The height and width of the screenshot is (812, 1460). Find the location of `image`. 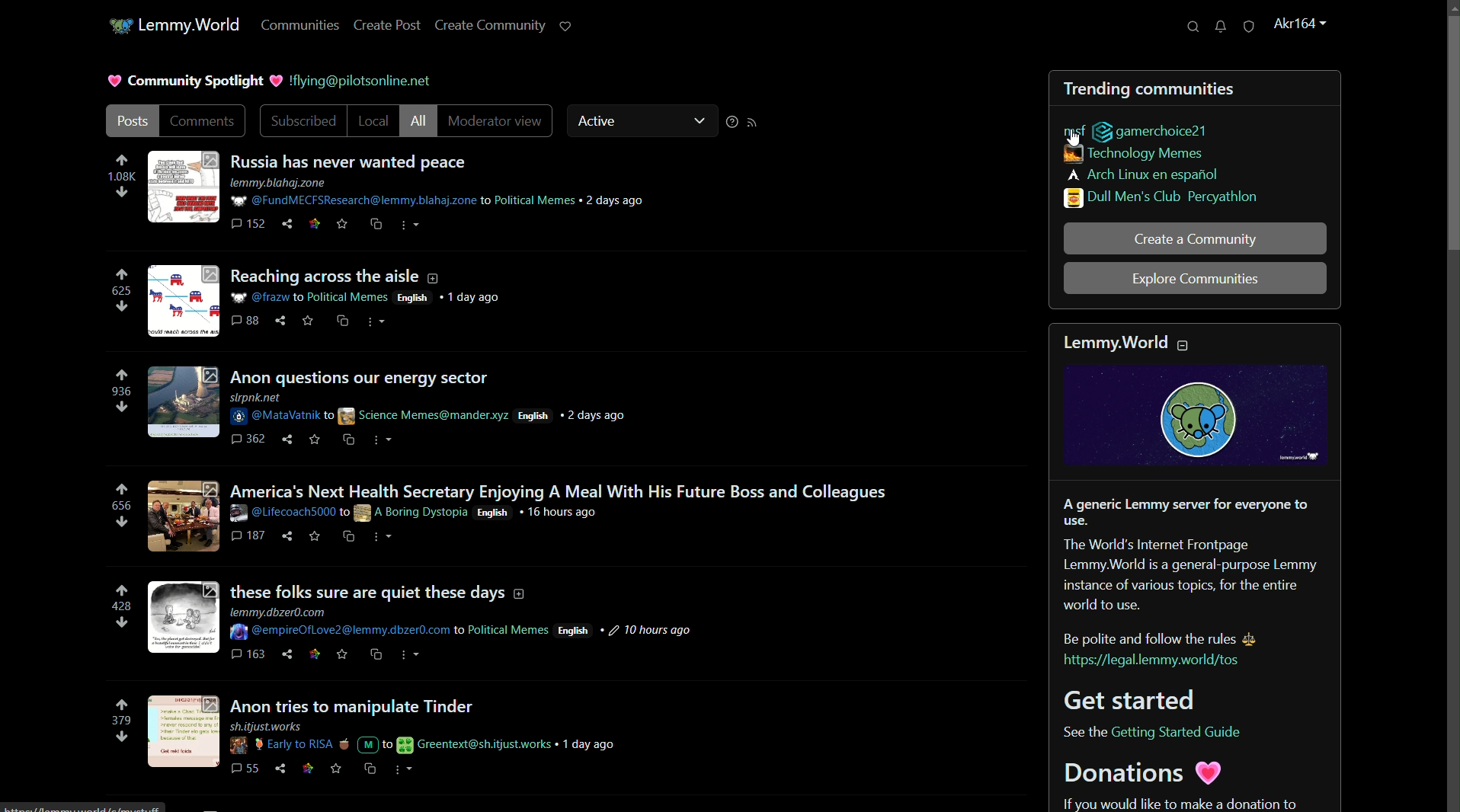

image is located at coordinates (182, 619).